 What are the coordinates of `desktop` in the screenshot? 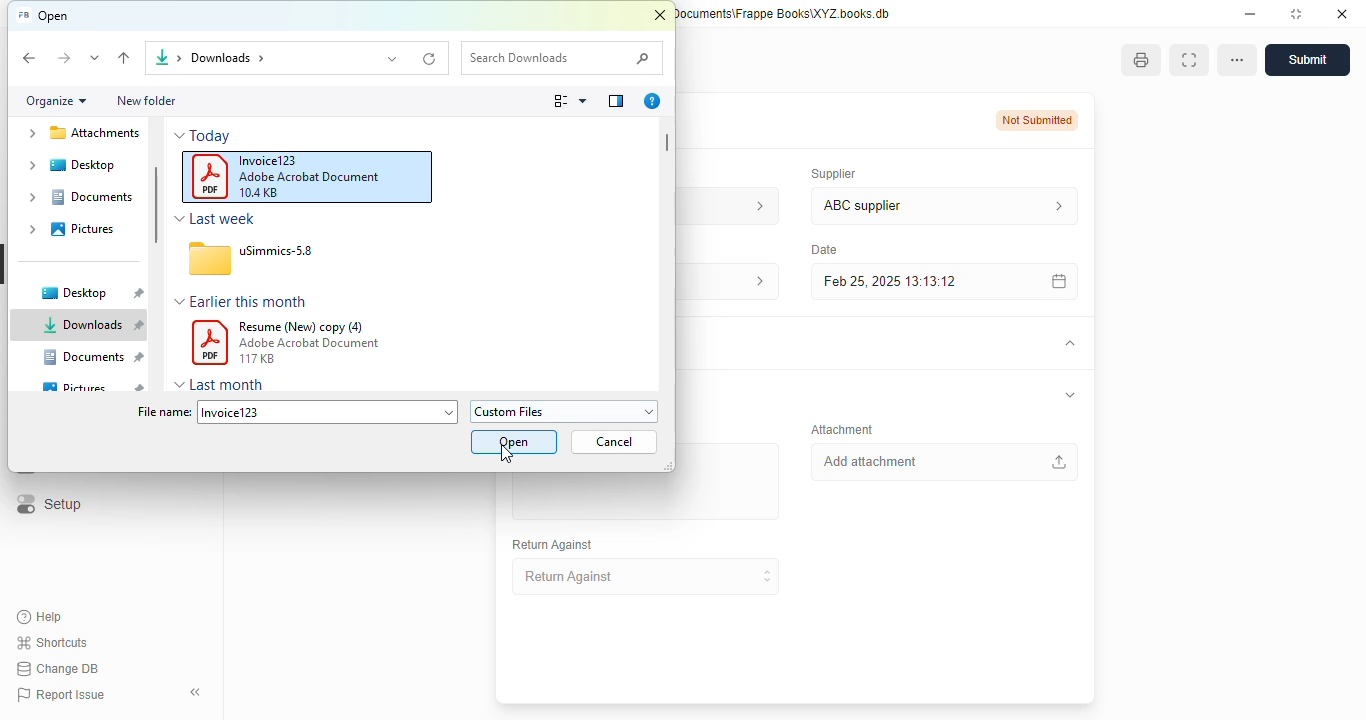 It's located at (82, 165).